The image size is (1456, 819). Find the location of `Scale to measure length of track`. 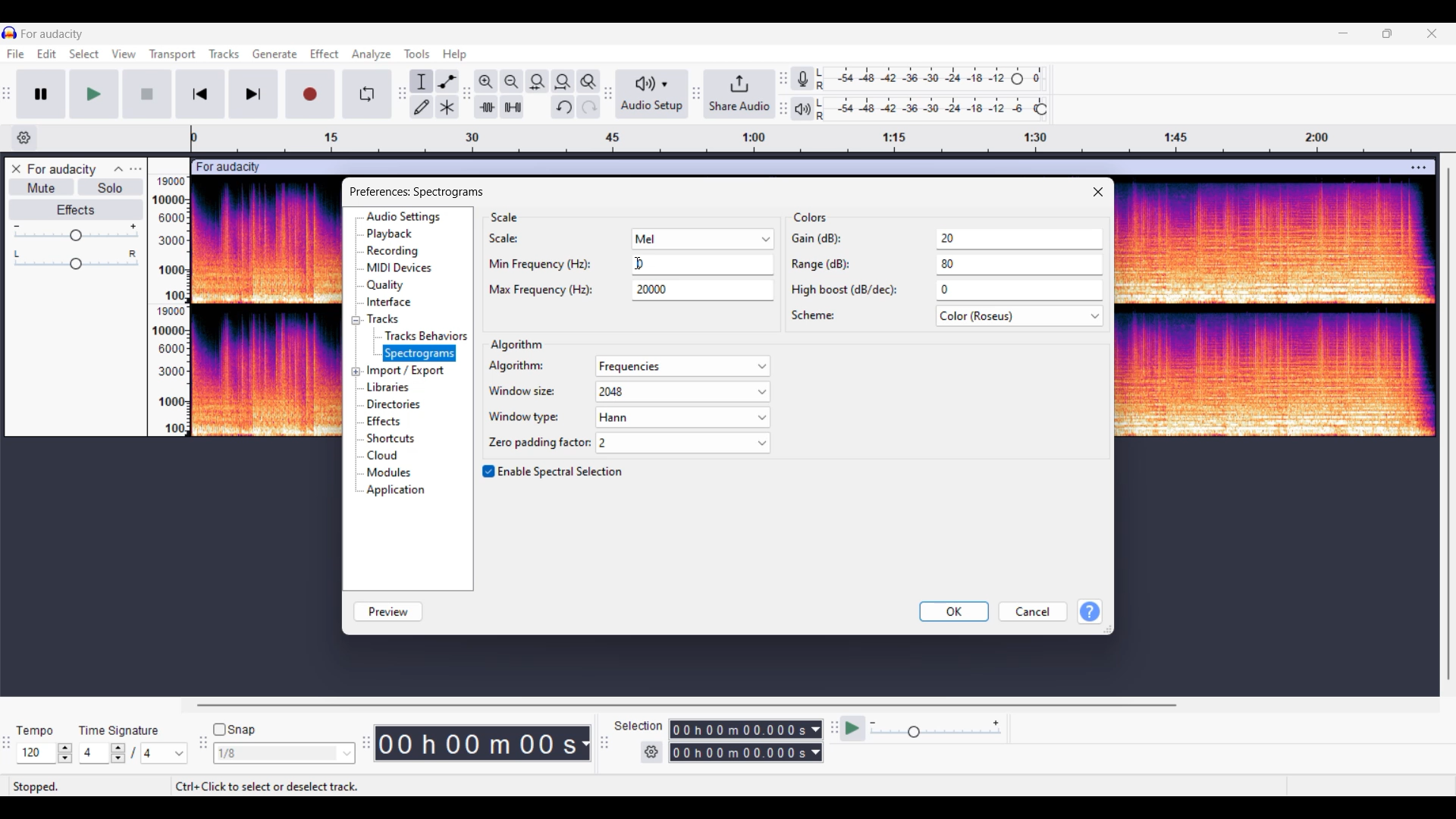

Scale to measure length of track is located at coordinates (816, 139).